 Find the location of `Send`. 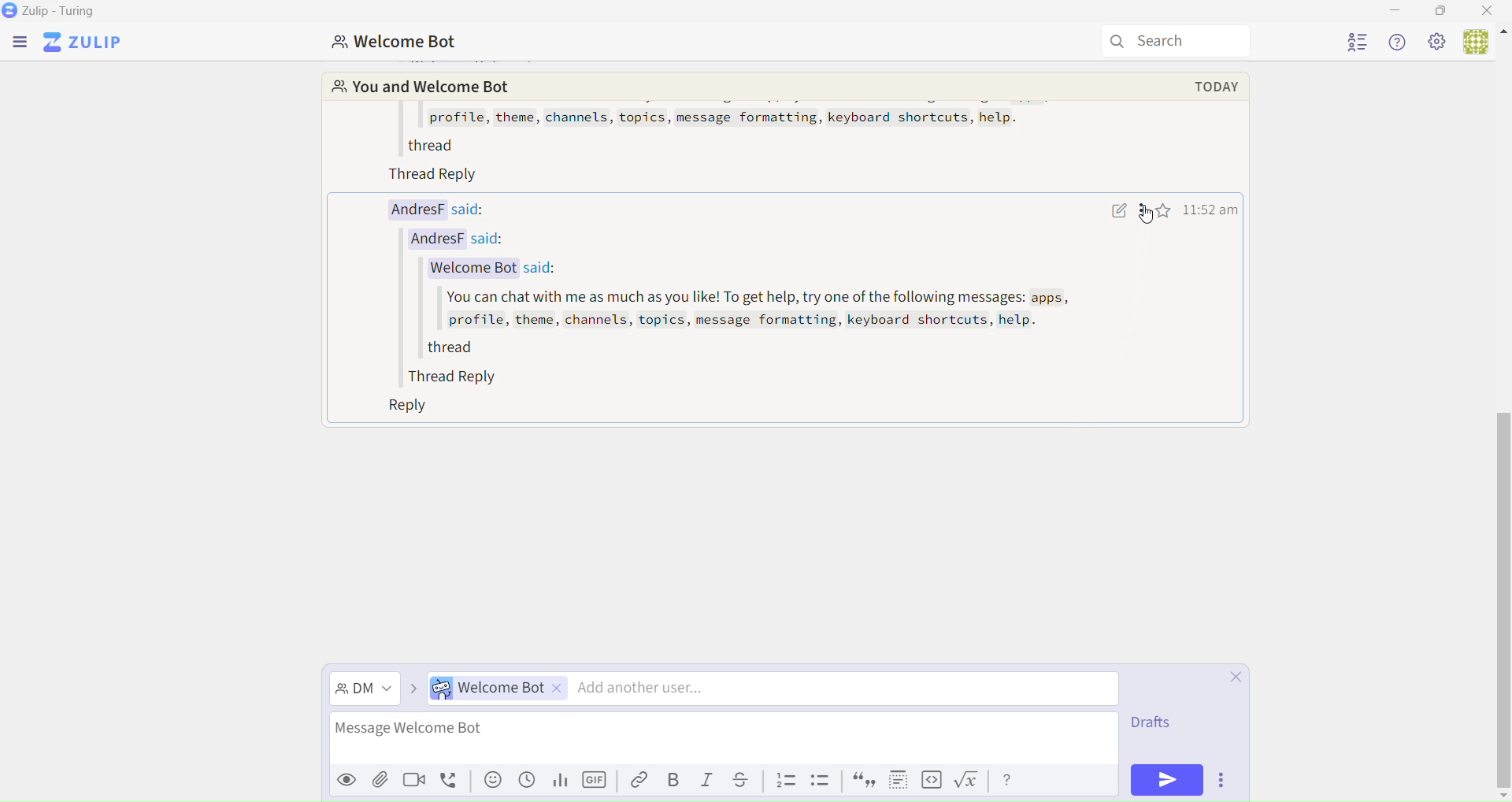

Send is located at coordinates (1165, 782).